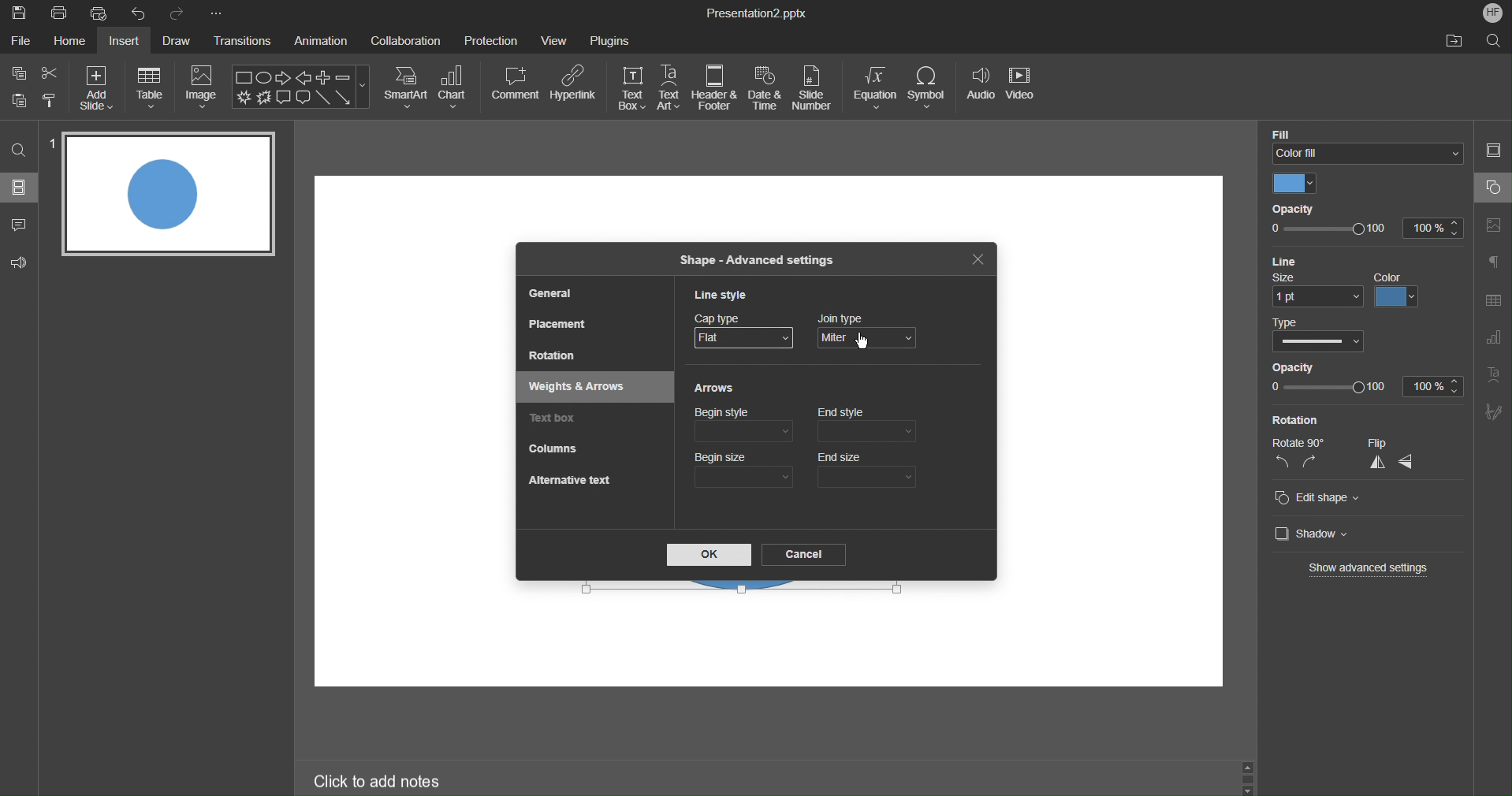 This screenshot has width=1512, height=796. I want to click on More, so click(216, 13).